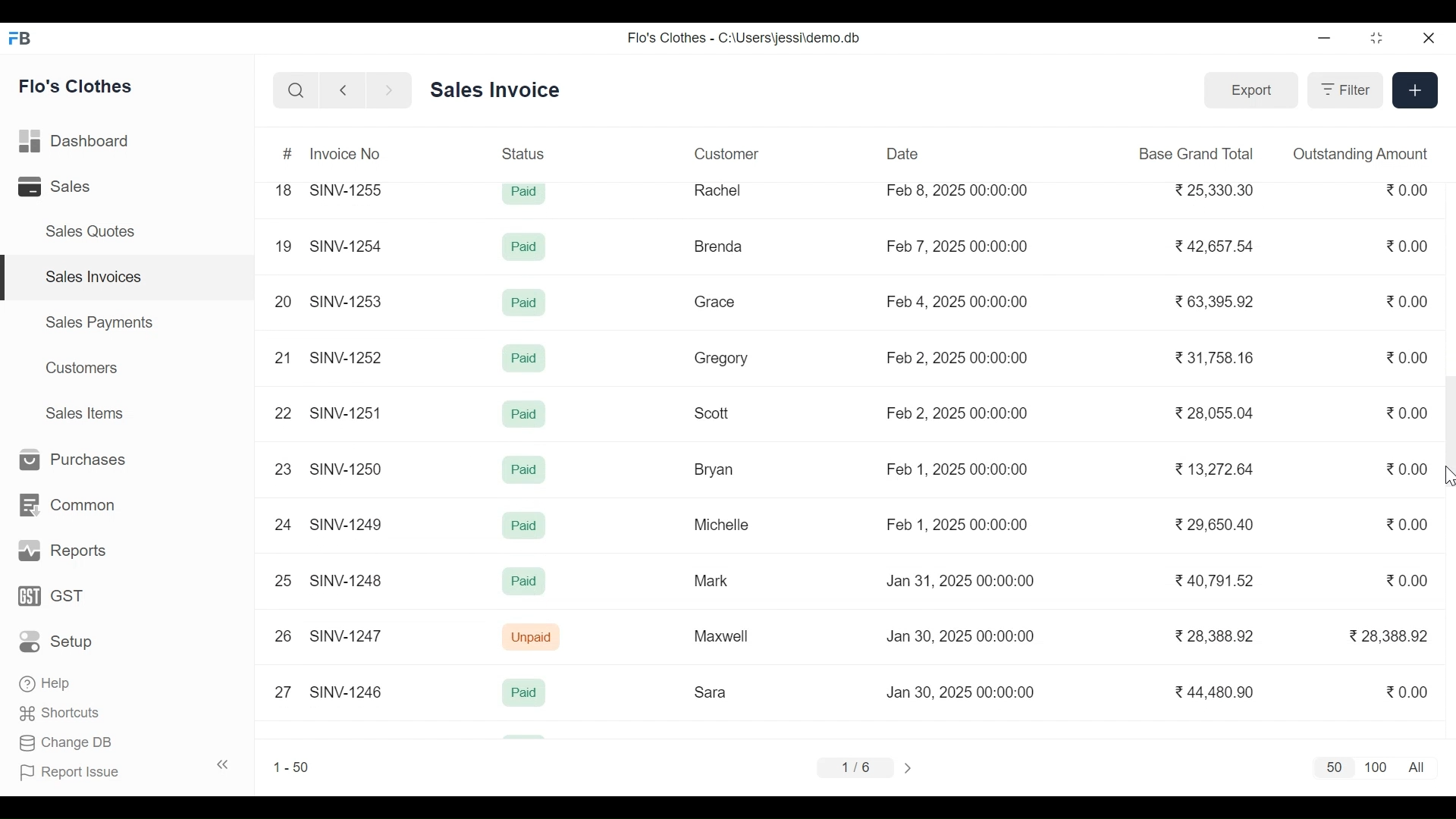 The width and height of the screenshot is (1456, 819). What do you see at coordinates (1216, 357) in the screenshot?
I see `31,758.16` at bounding box center [1216, 357].